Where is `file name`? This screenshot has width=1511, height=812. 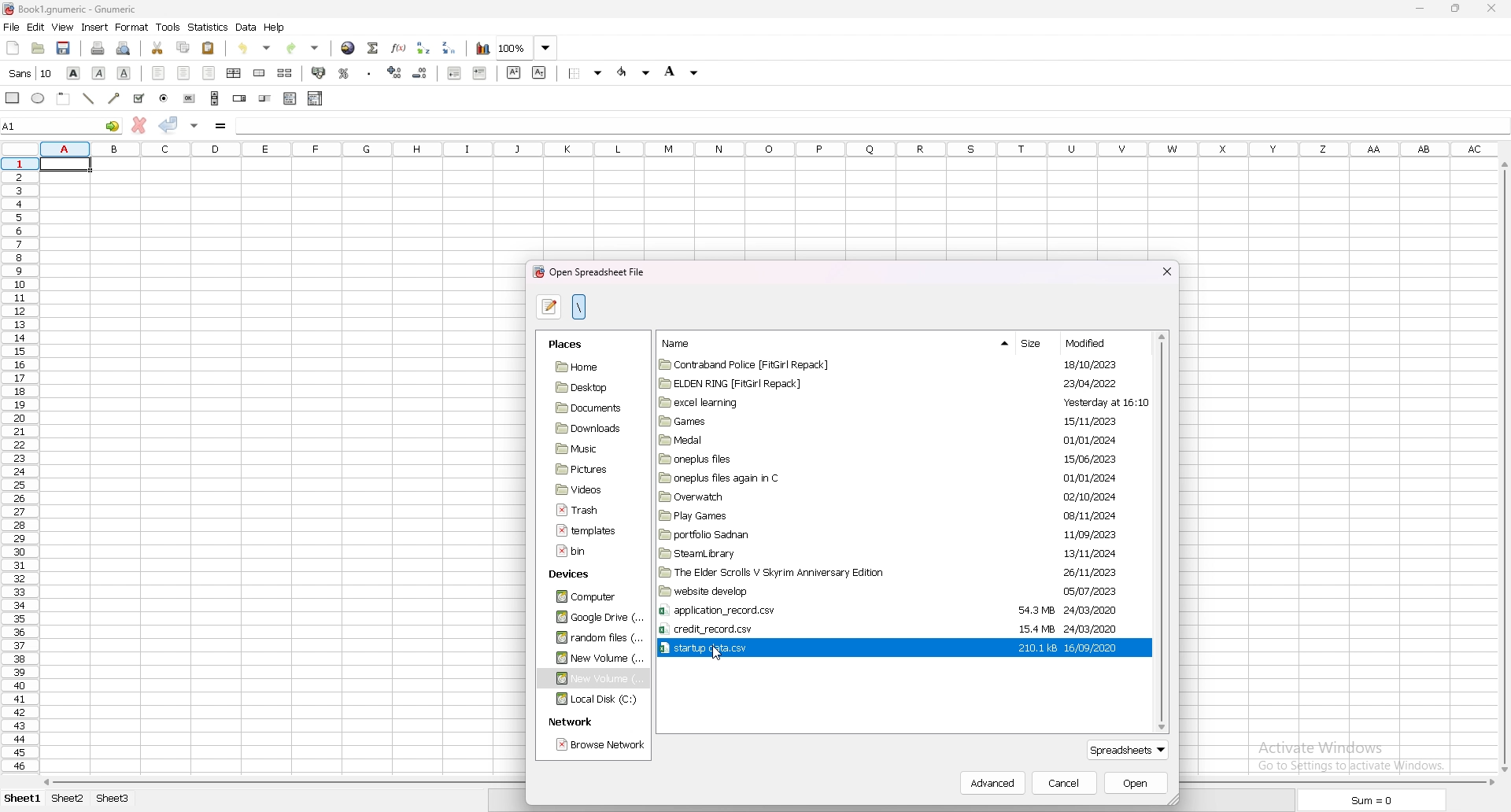
file name is located at coordinates (90, 10).